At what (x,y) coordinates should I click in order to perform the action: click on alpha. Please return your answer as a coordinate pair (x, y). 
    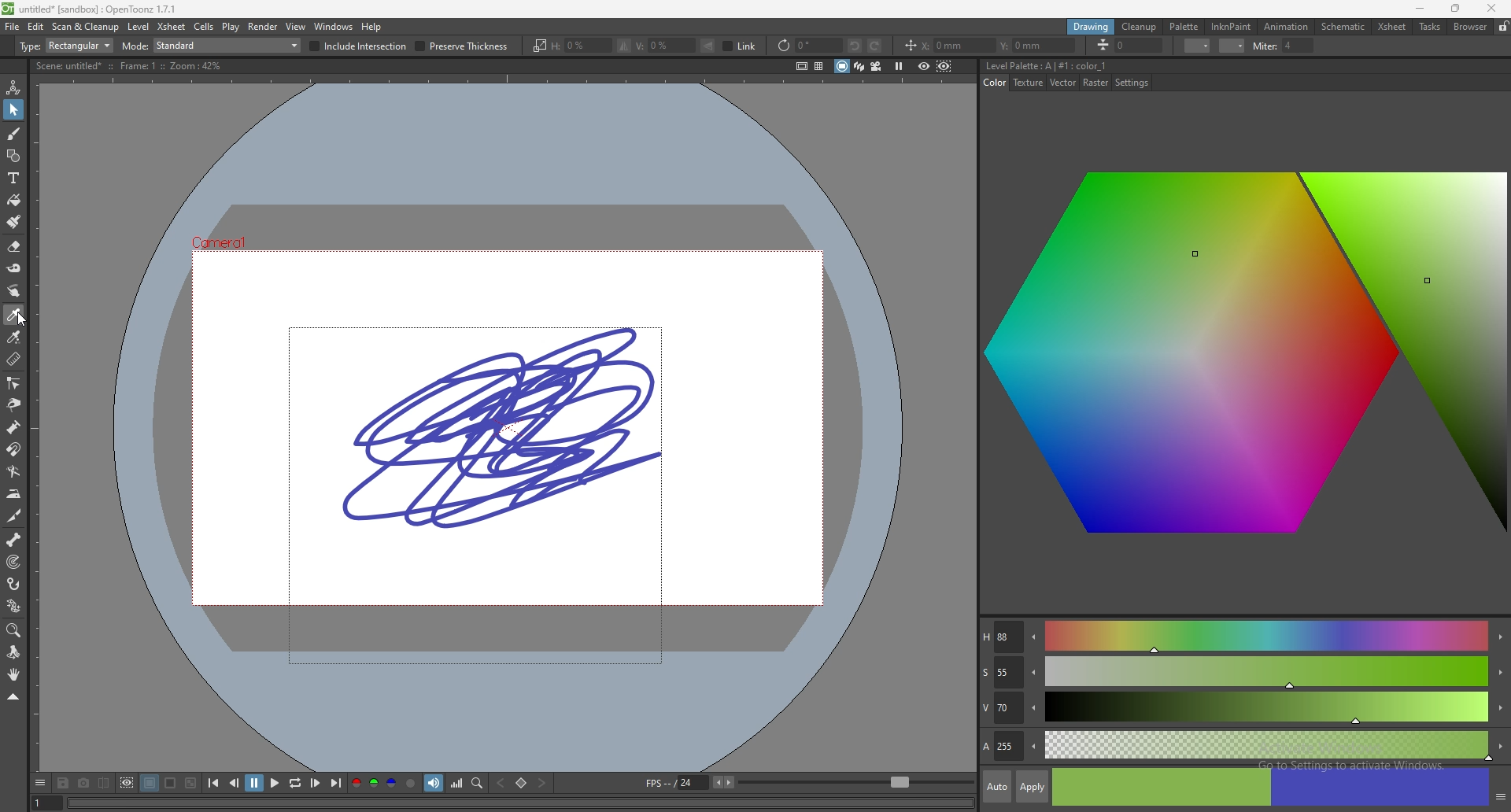
    Looking at the image, I should click on (1244, 744).